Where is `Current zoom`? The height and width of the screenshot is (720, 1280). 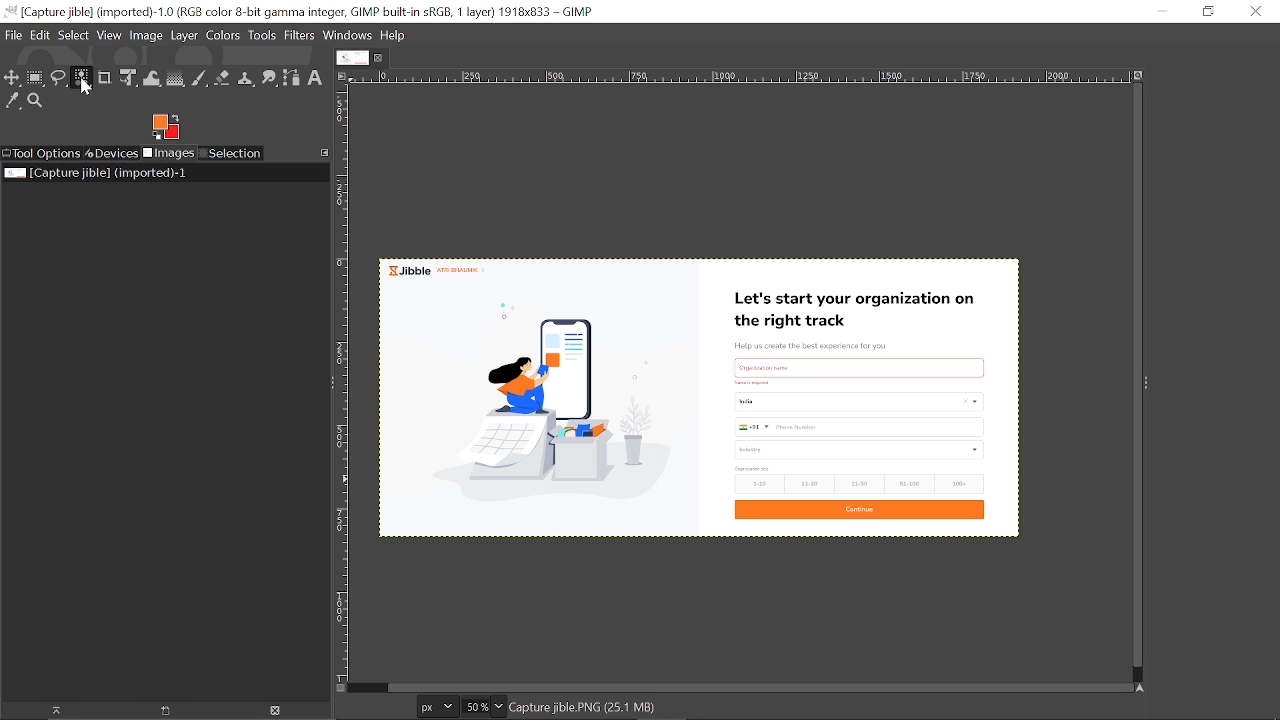 Current zoom is located at coordinates (474, 707).